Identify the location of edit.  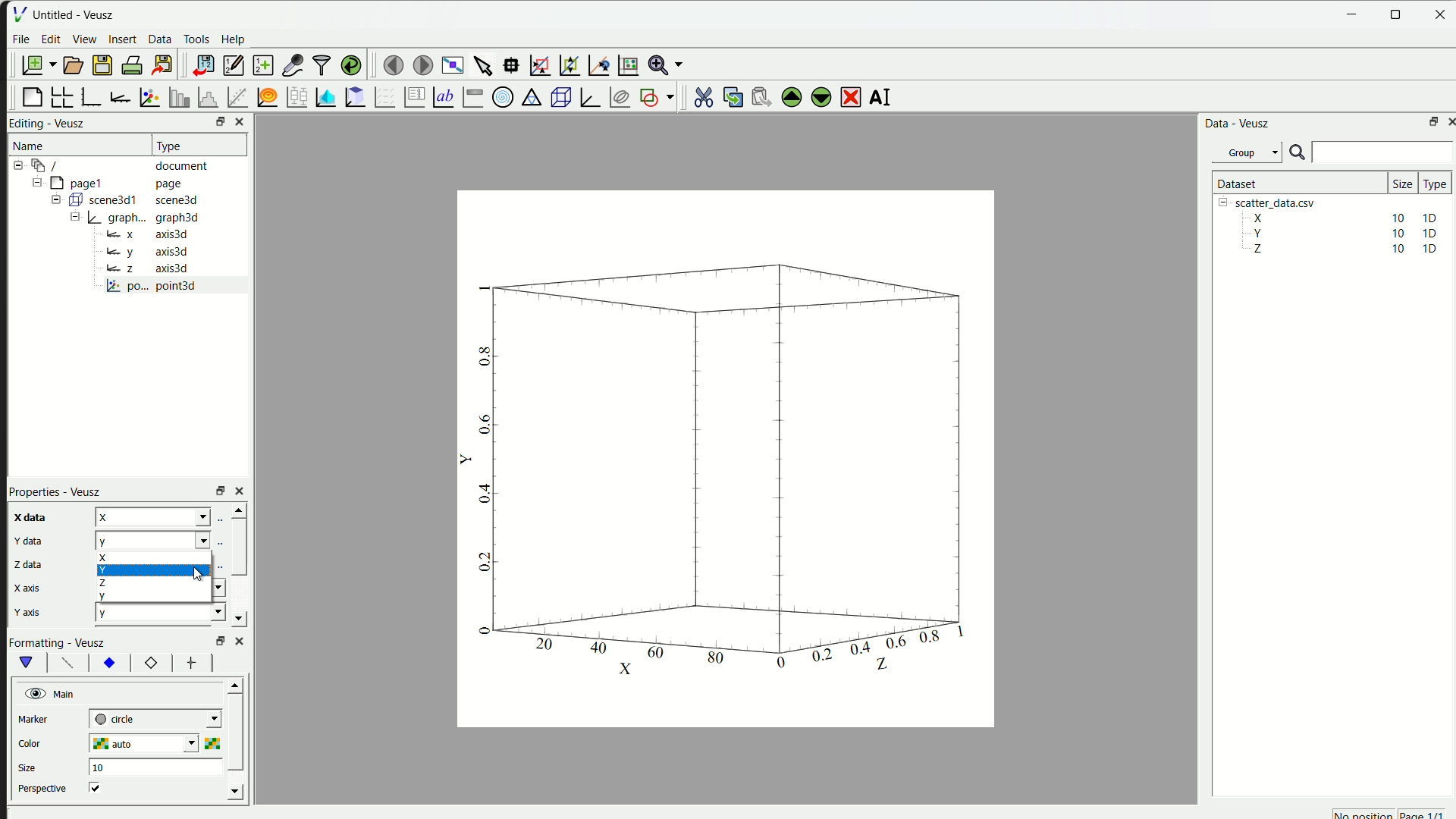
(50, 39).